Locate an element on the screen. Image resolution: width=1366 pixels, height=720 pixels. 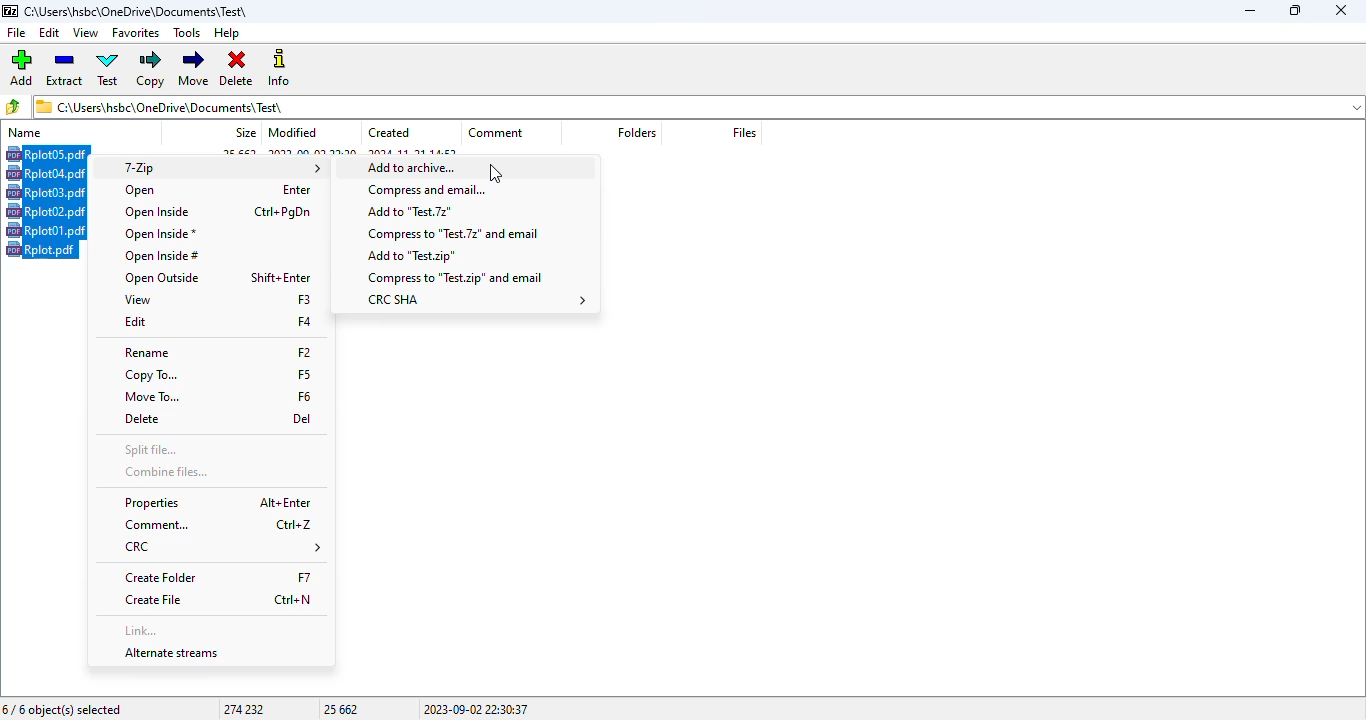
274 232 is located at coordinates (243, 709).